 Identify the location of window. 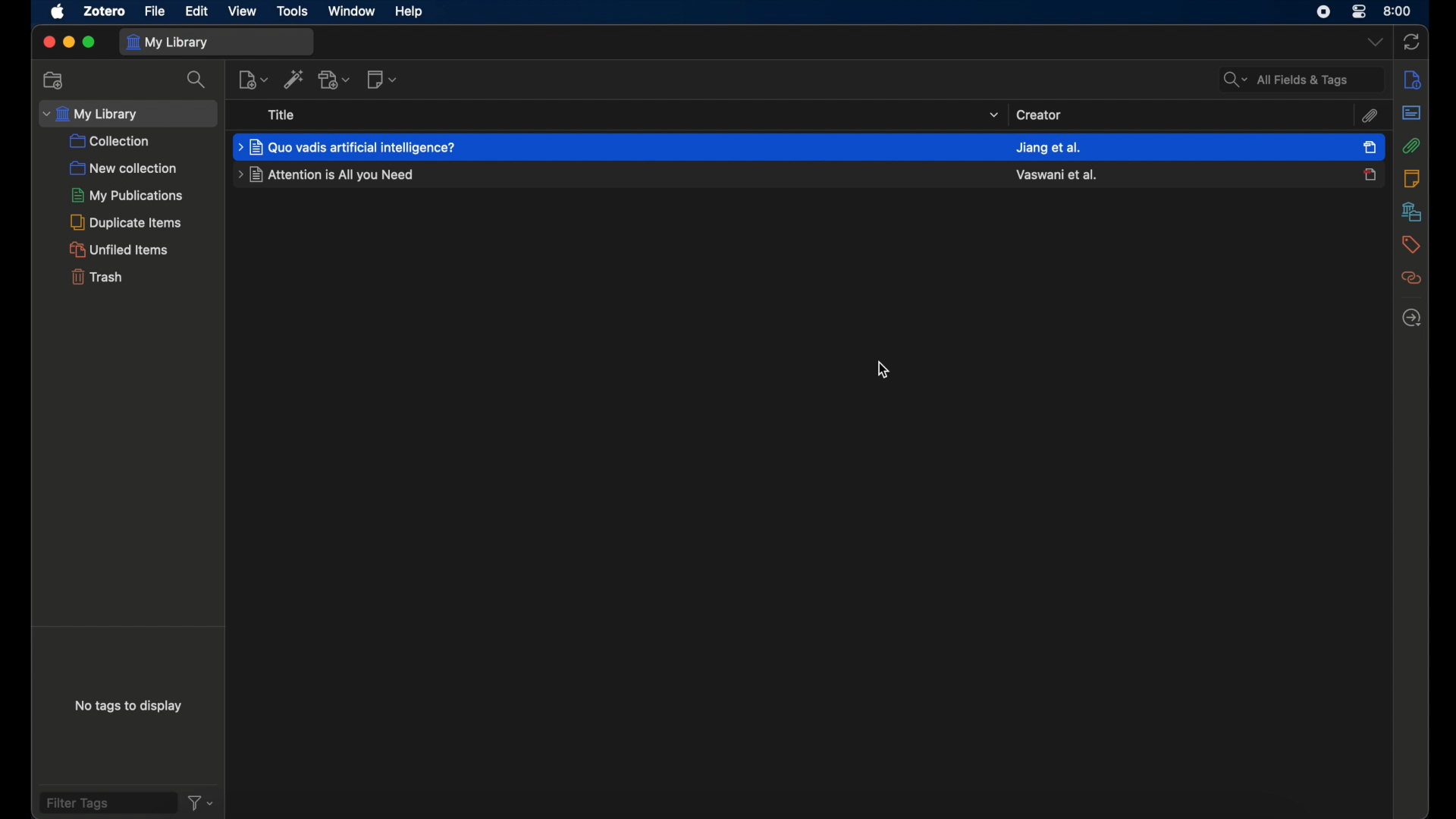
(350, 11).